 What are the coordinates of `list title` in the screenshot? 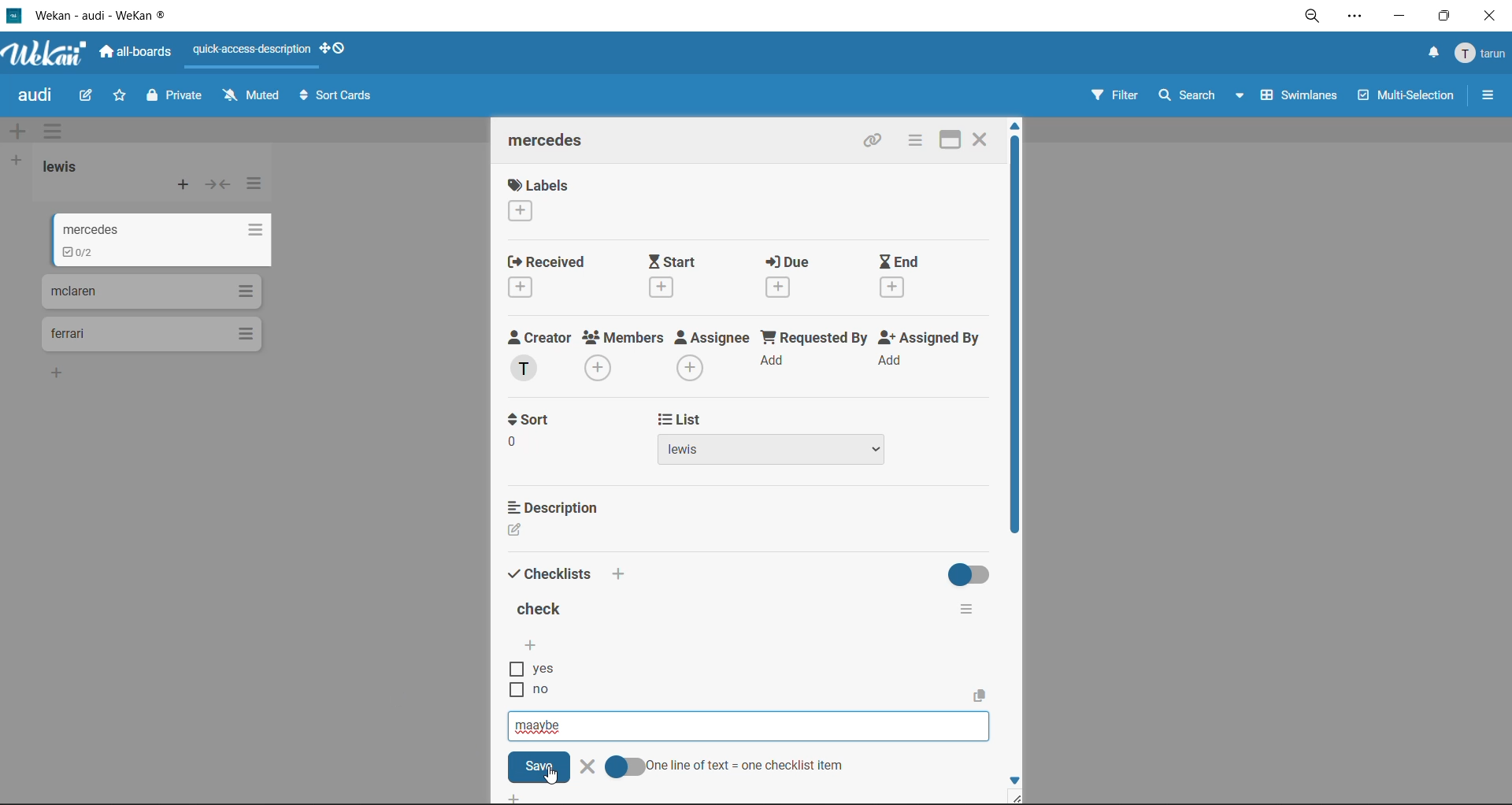 It's located at (65, 169).